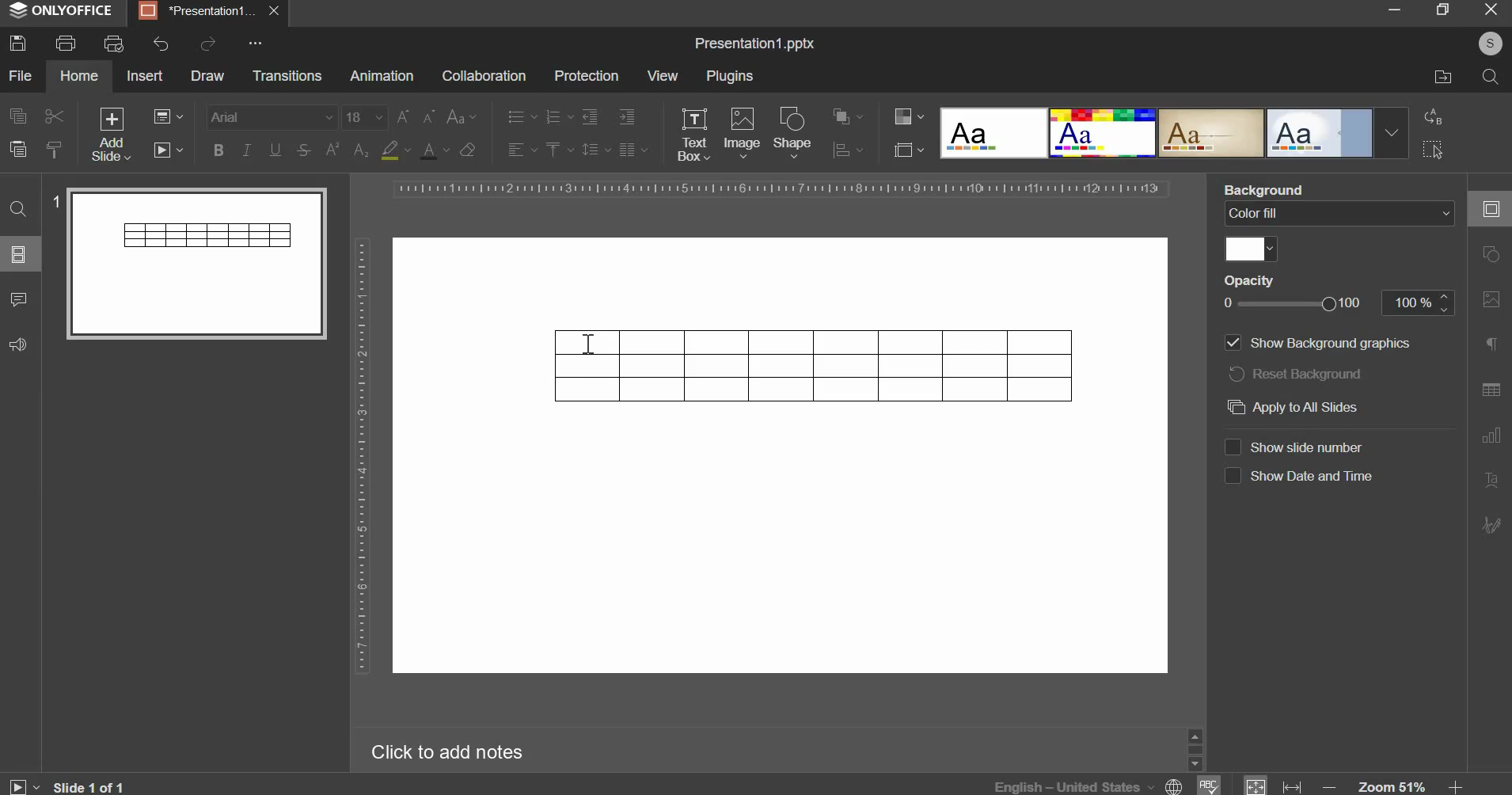 The height and width of the screenshot is (795, 1512). Describe the element at coordinates (113, 45) in the screenshot. I see `print preview` at that location.